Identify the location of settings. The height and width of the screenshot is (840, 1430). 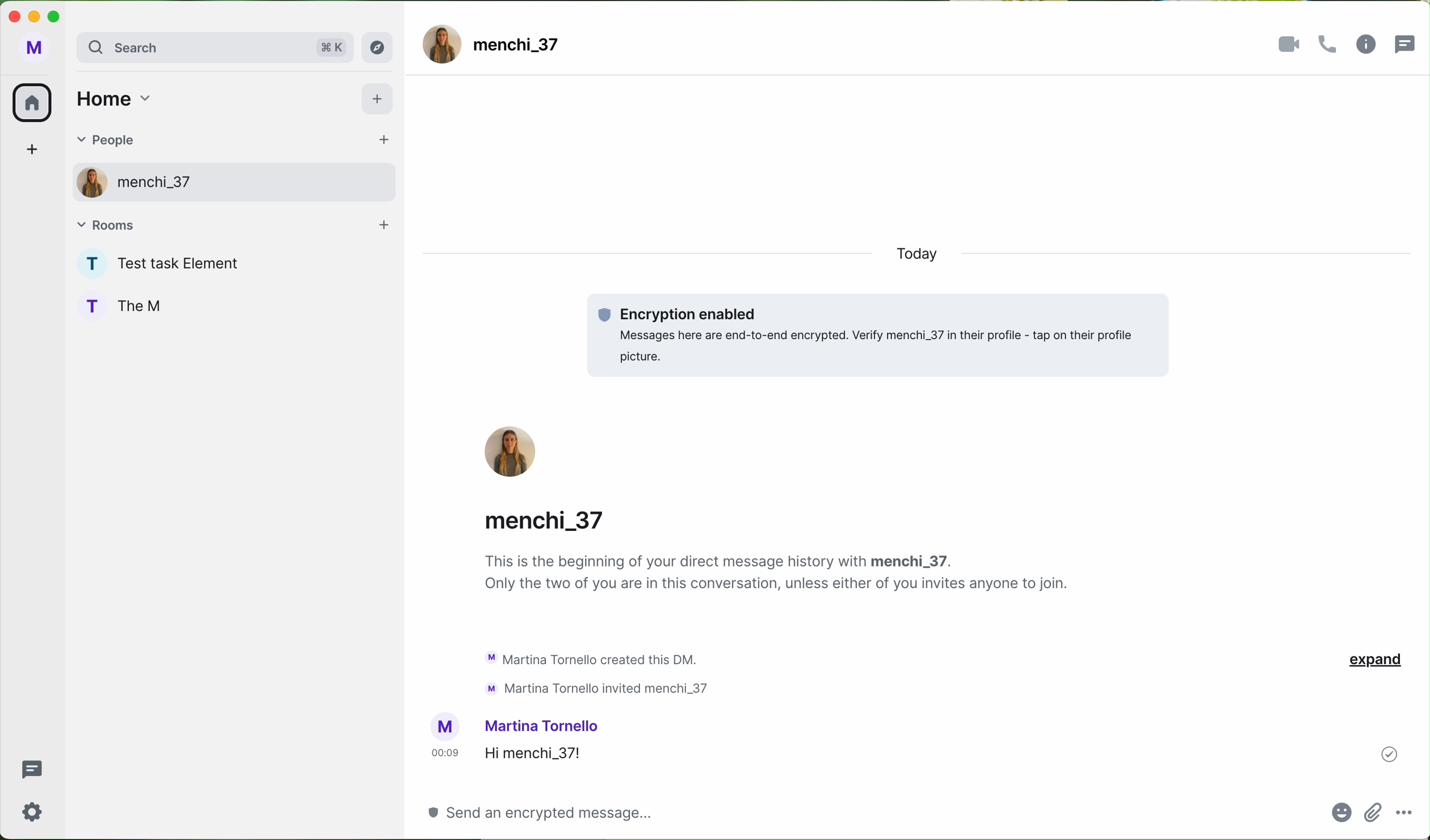
(33, 811).